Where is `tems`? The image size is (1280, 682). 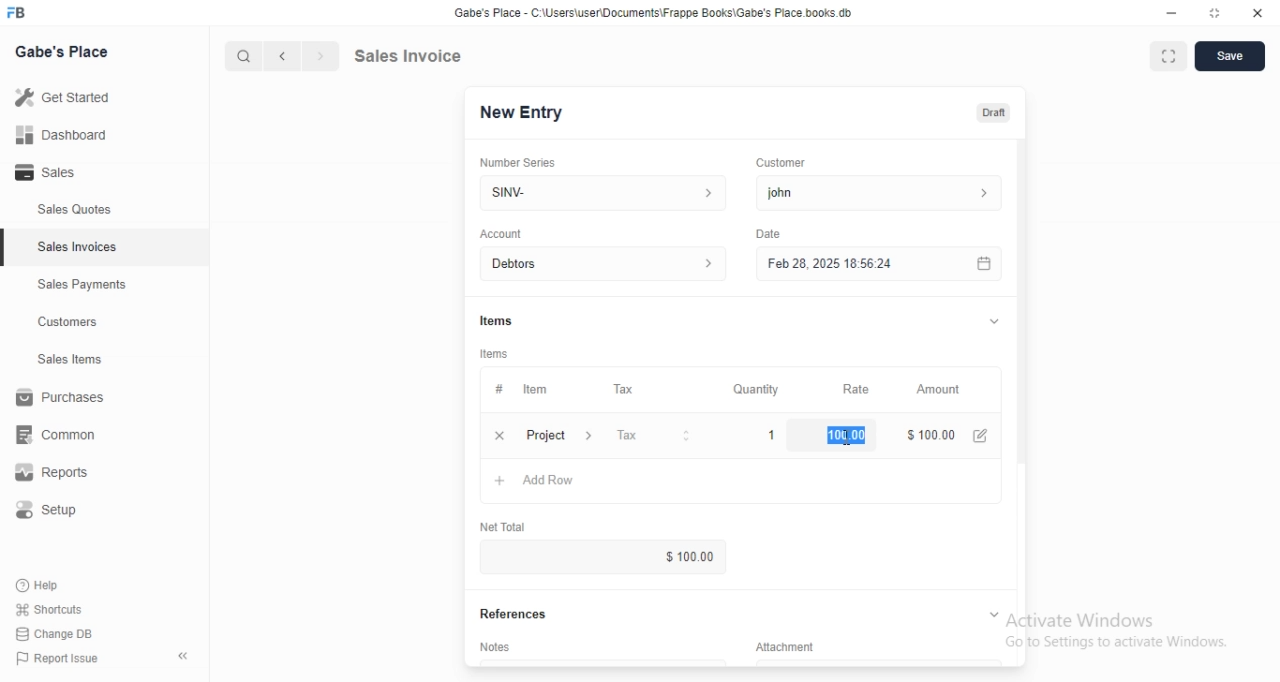
tems is located at coordinates (497, 354).